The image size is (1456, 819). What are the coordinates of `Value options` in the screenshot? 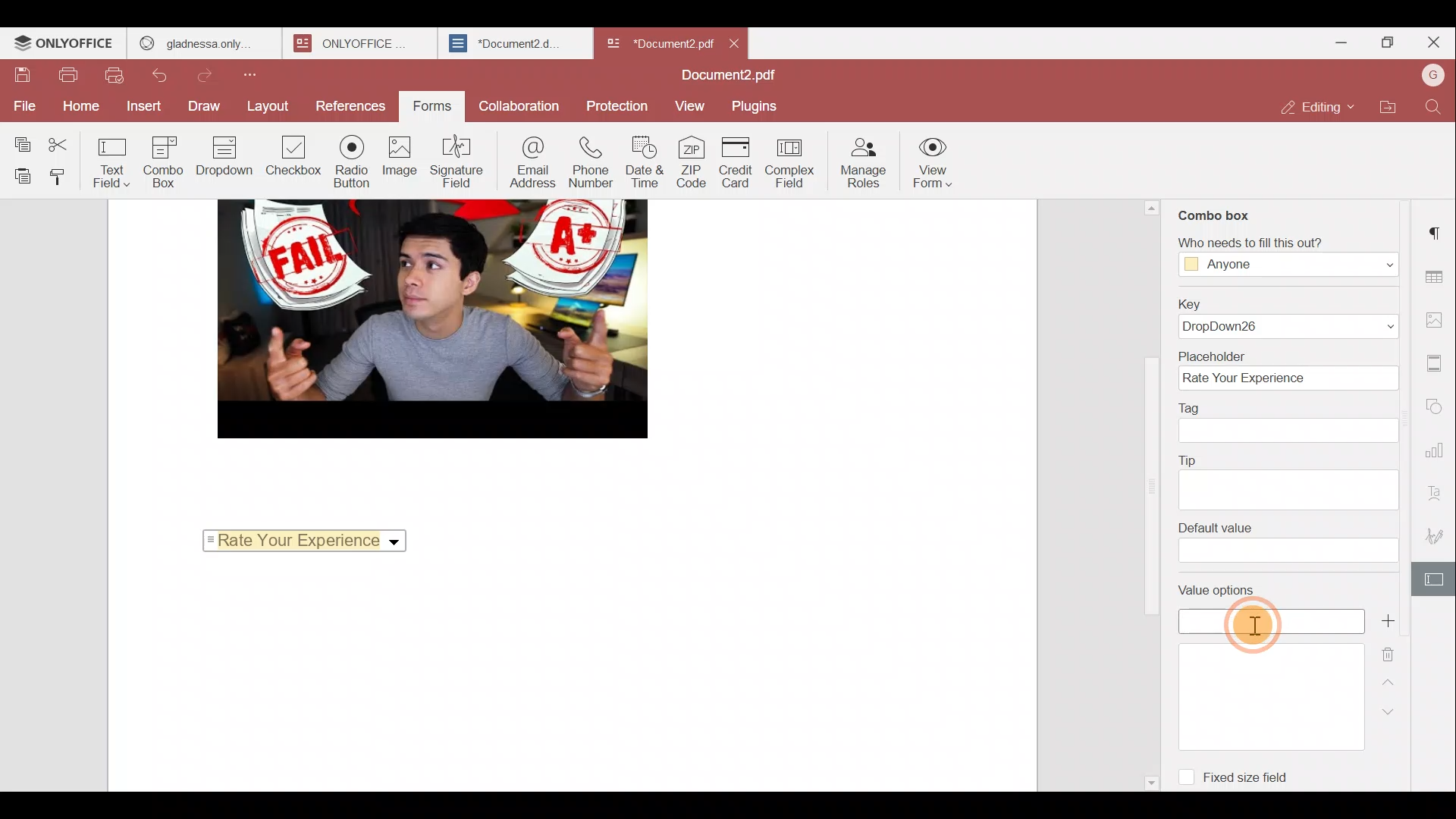 It's located at (1262, 661).